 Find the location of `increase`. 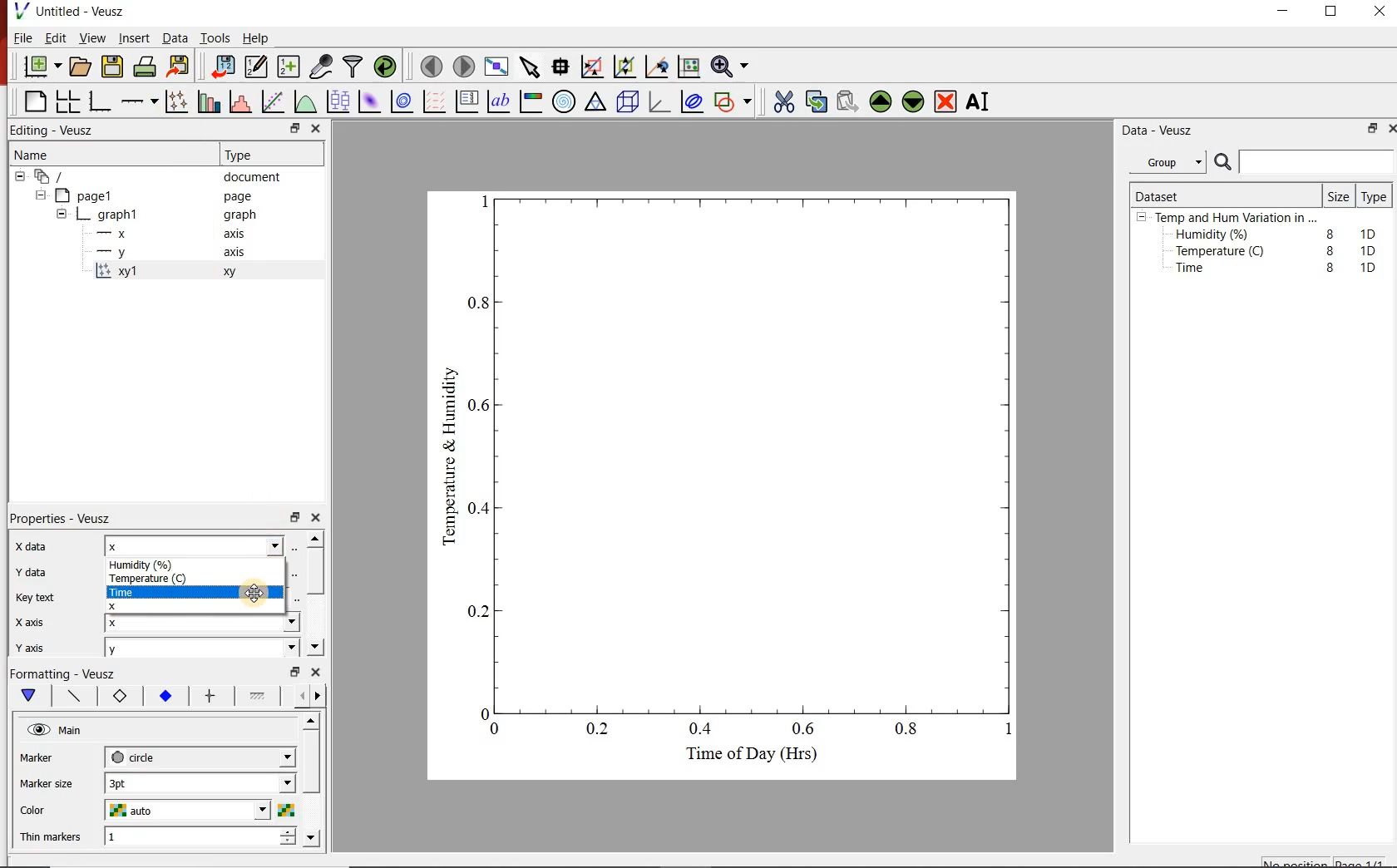

increase is located at coordinates (287, 833).